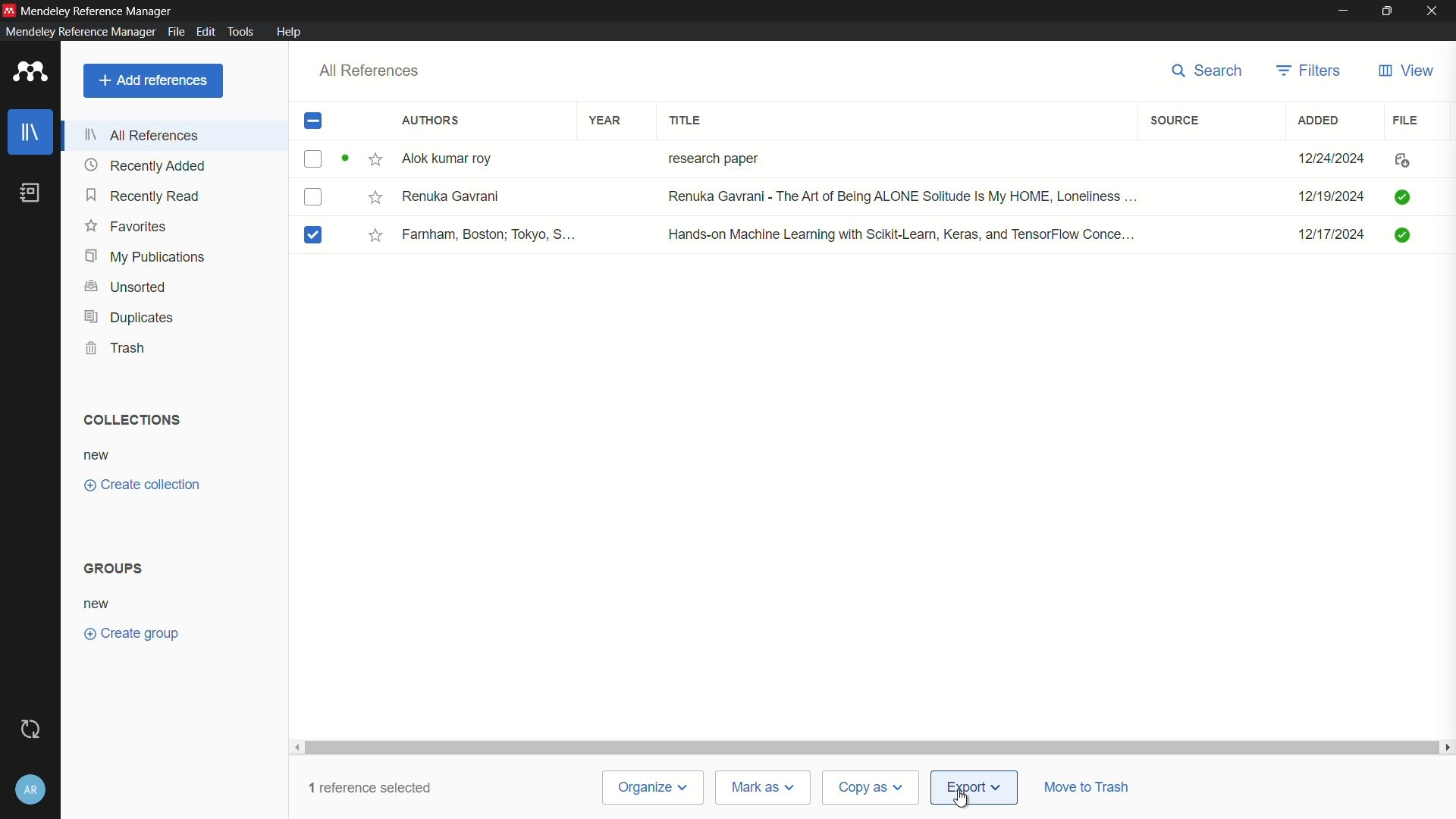  I want to click on maximize, so click(1387, 11).